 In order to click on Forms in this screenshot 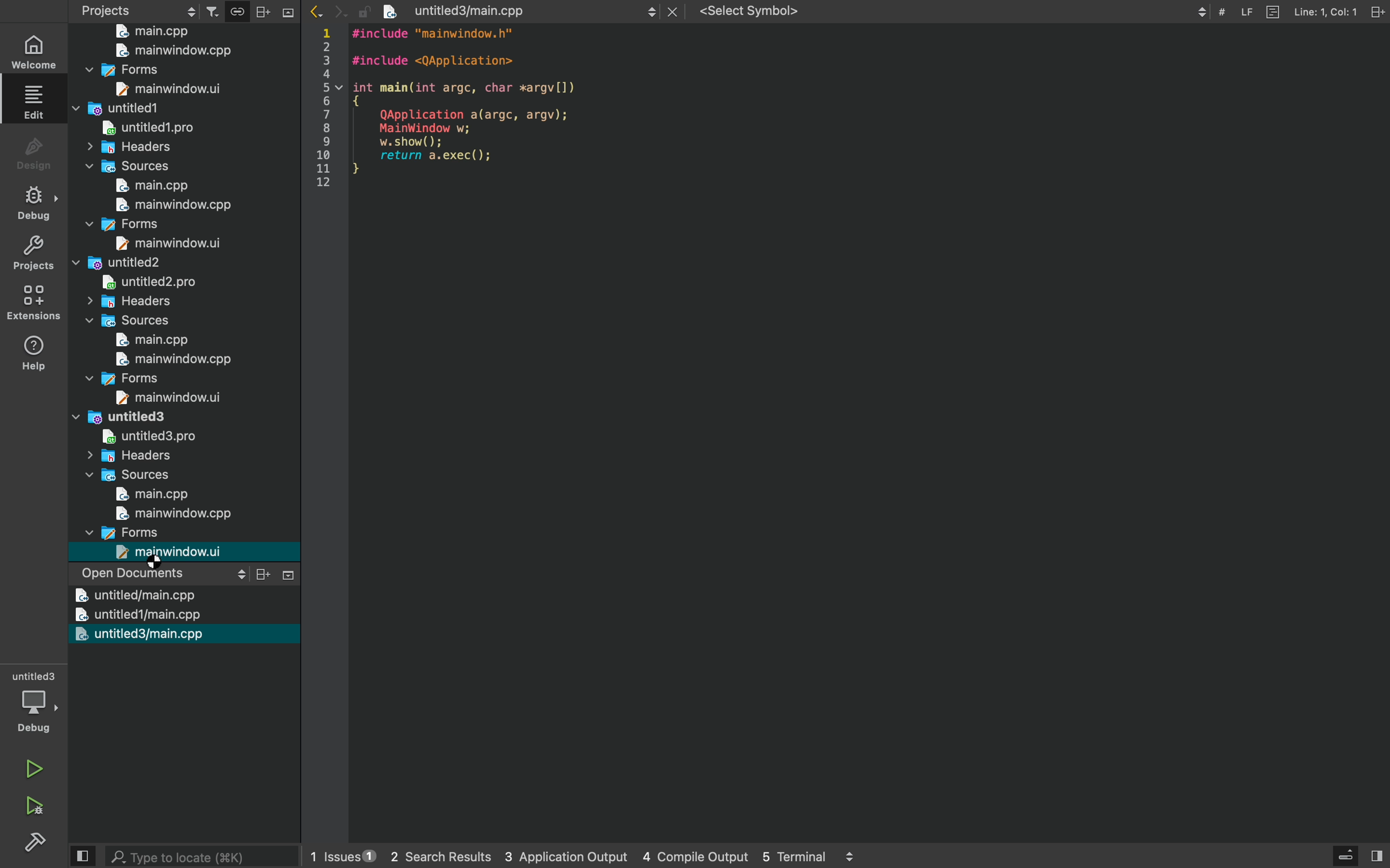, I will do `click(157, 397)`.